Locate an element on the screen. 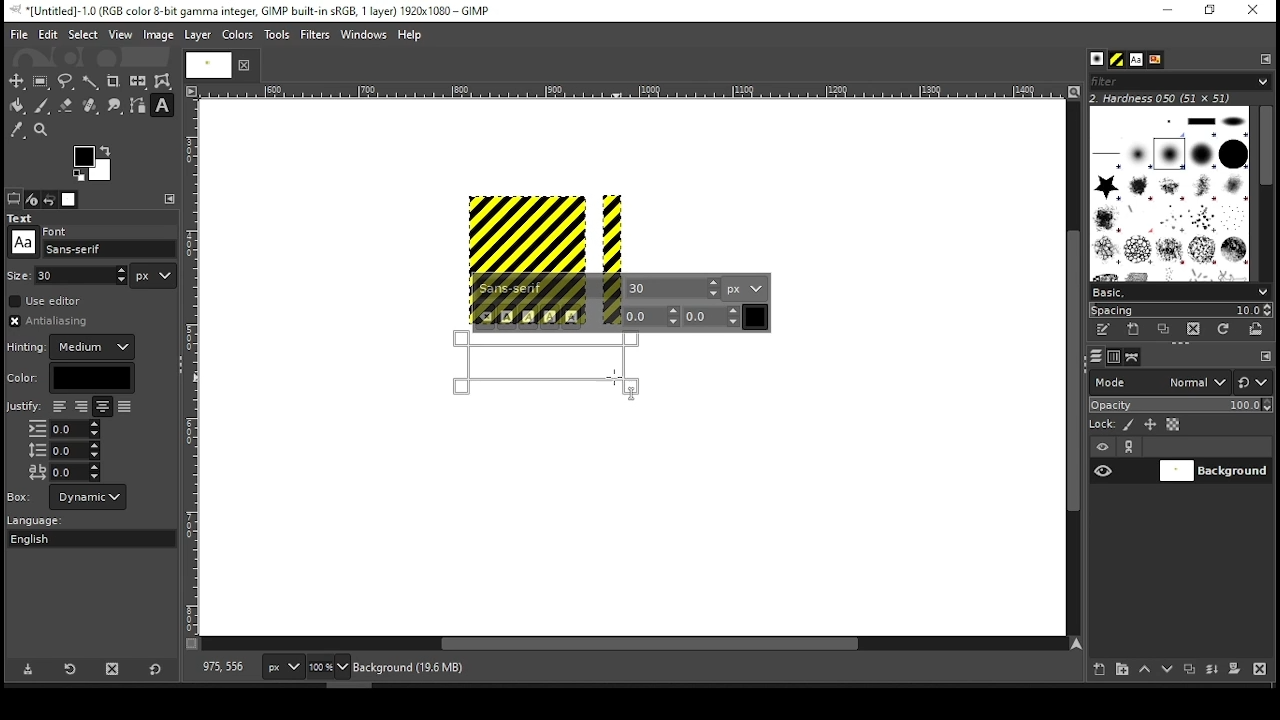  brushes is located at coordinates (1169, 193).